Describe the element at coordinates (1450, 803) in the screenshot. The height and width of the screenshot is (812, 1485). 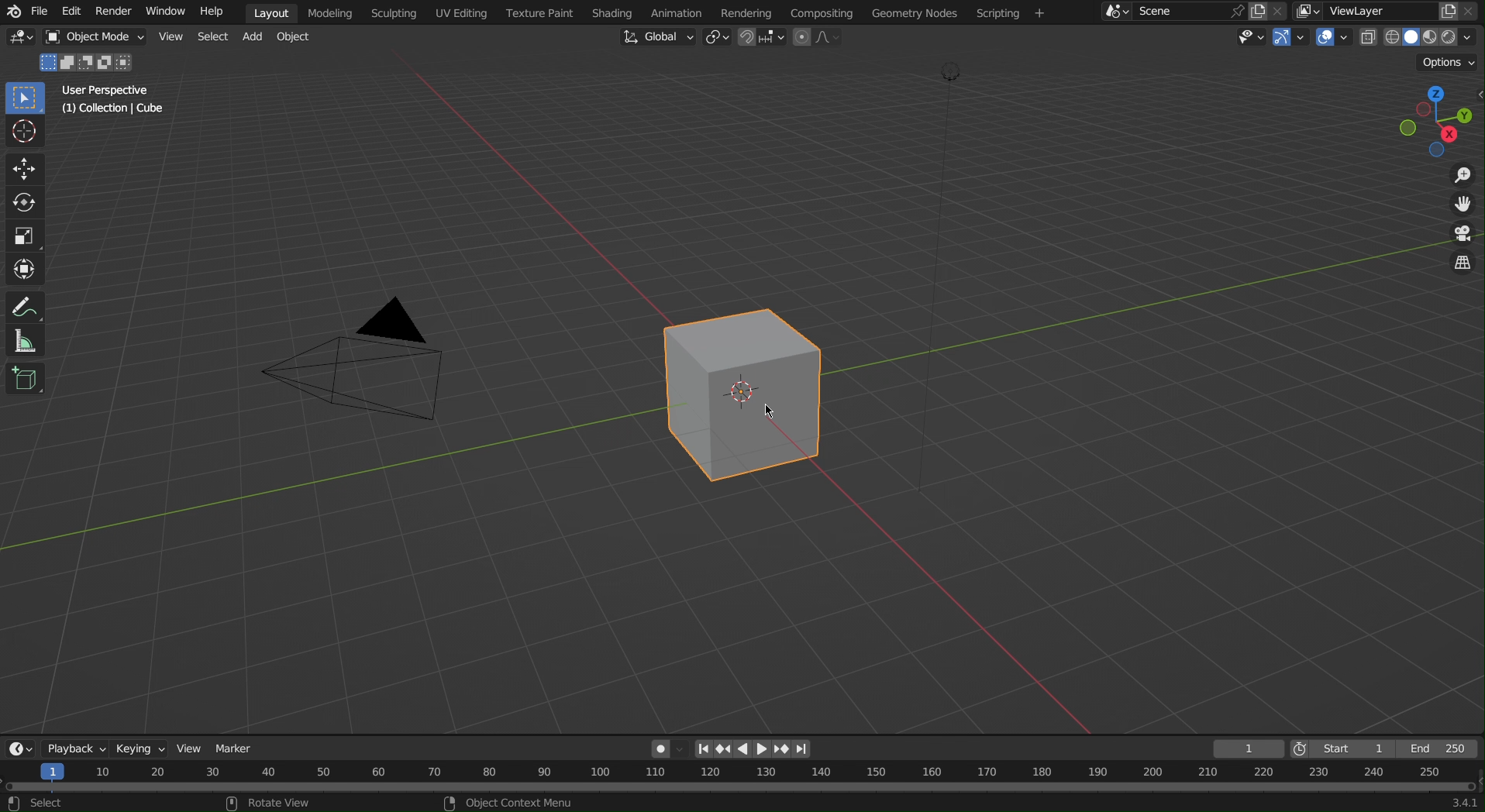
I see `341` at that location.